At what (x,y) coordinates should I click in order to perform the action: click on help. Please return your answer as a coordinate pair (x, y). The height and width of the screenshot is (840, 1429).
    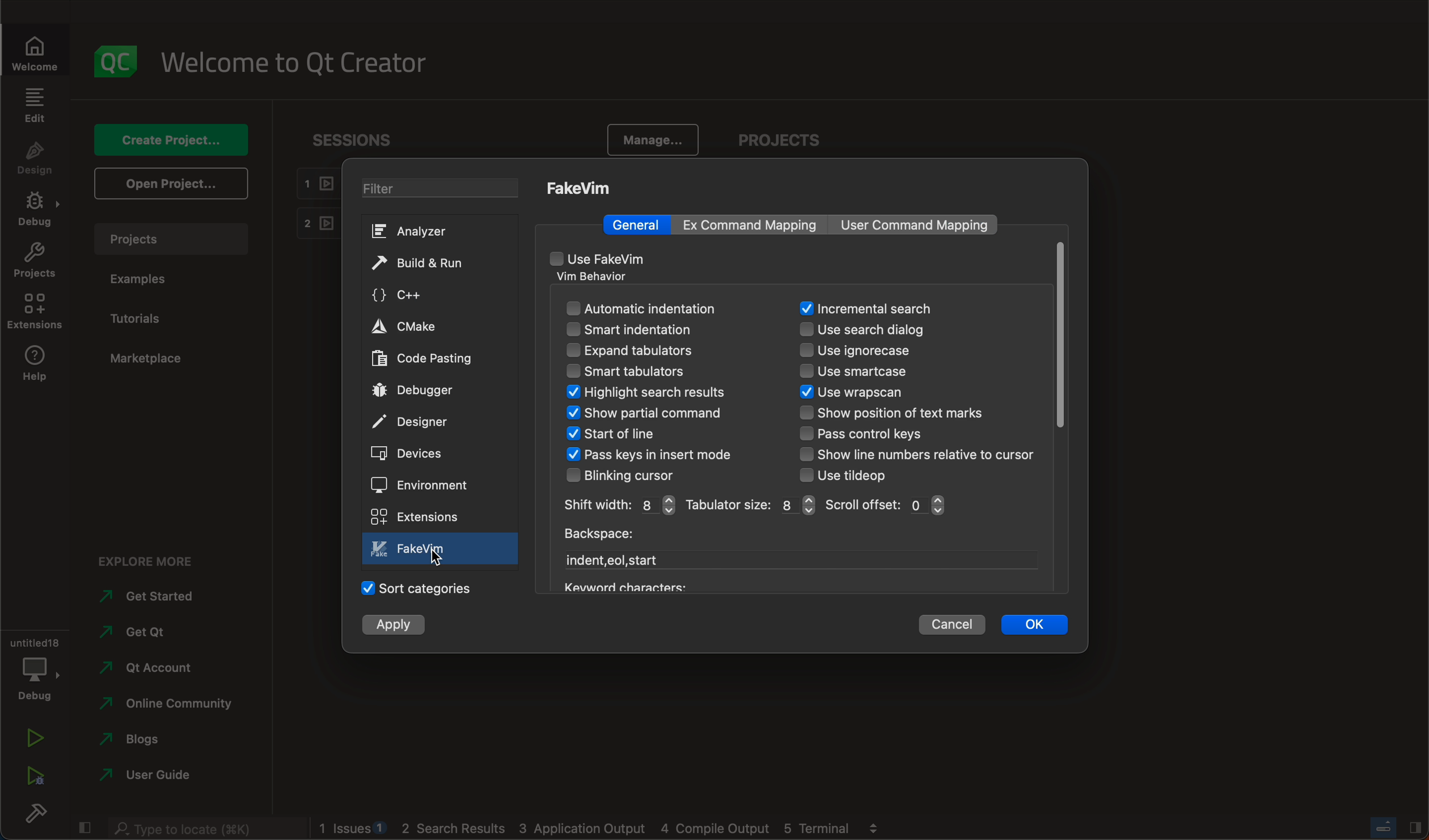
    Looking at the image, I should click on (37, 367).